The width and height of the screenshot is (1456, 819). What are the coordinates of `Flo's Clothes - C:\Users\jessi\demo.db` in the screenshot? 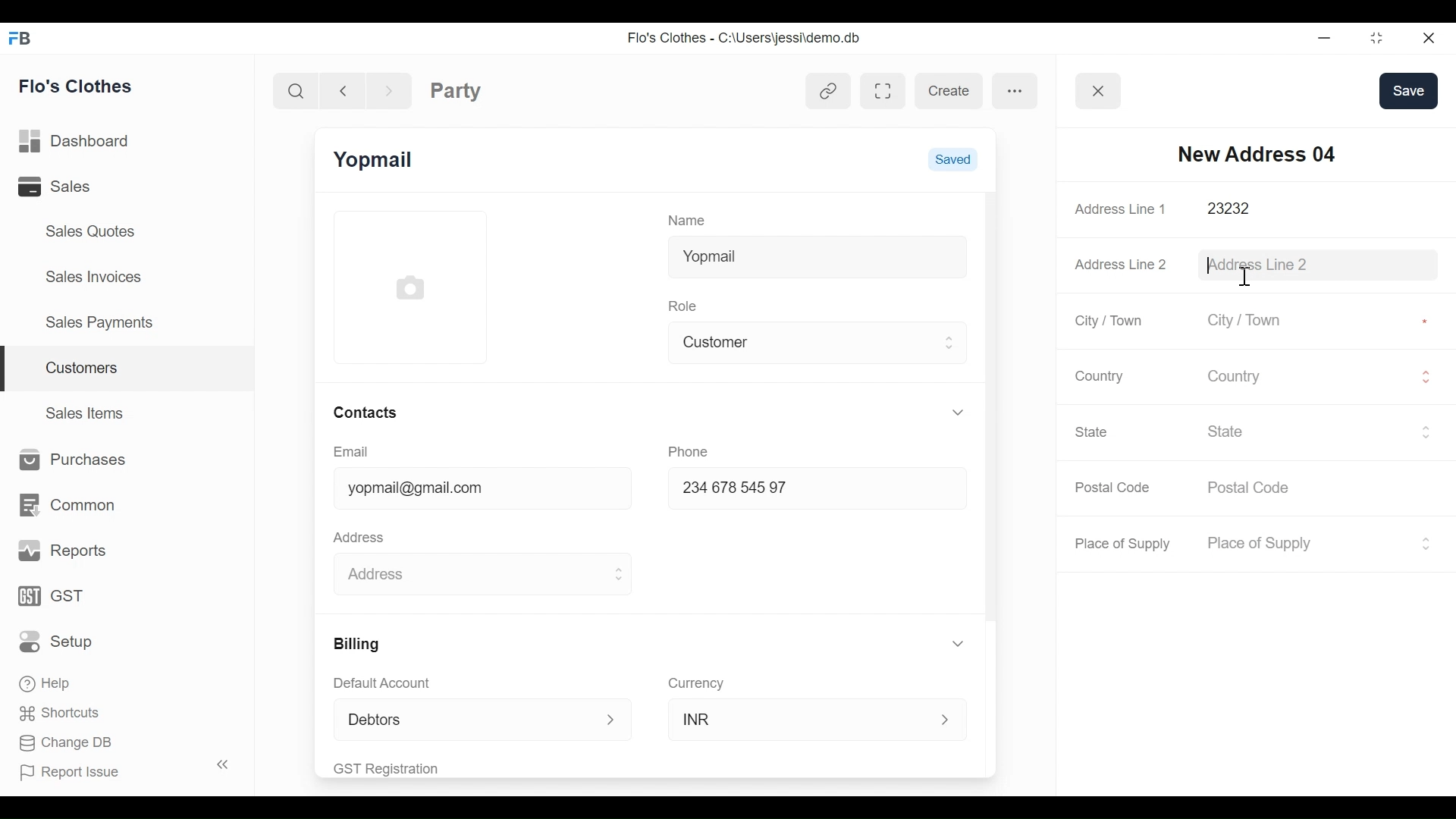 It's located at (746, 39).